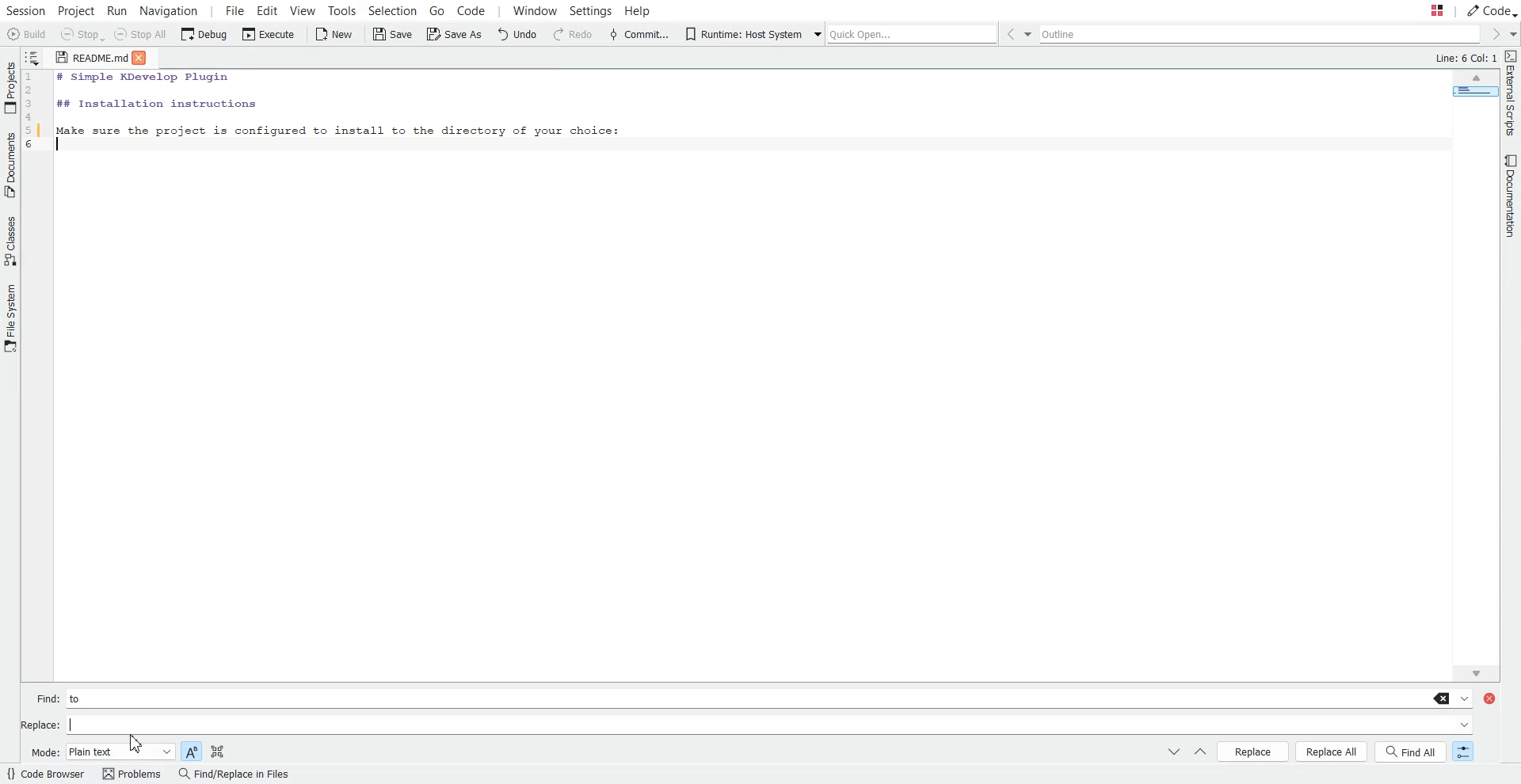 The image size is (1521, 784). What do you see at coordinates (1263, 35) in the screenshot?
I see `Outline` at bounding box center [1263, 35].